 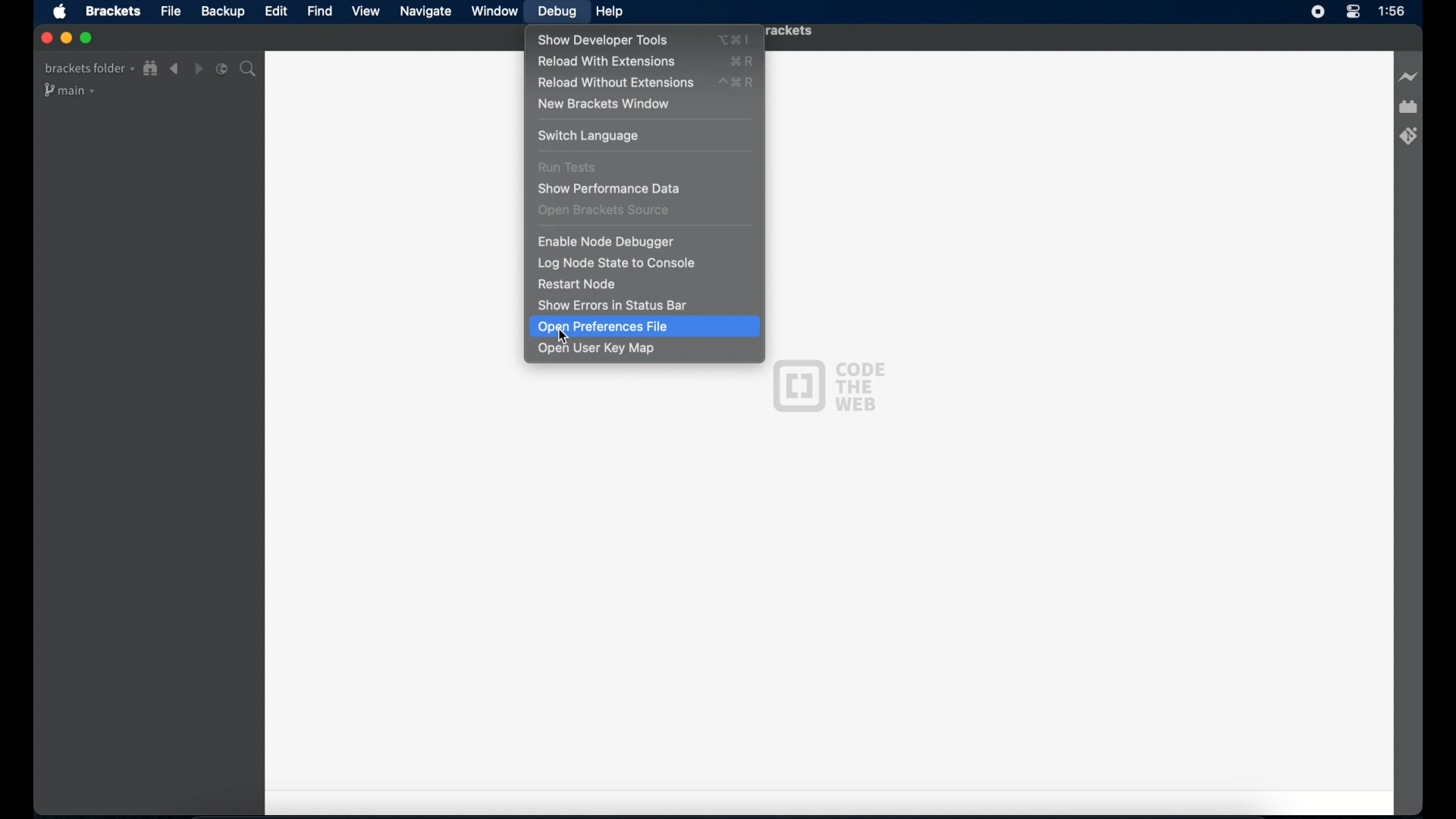 I want to click on bracket  git extensions, so click(x=1410, y=136).